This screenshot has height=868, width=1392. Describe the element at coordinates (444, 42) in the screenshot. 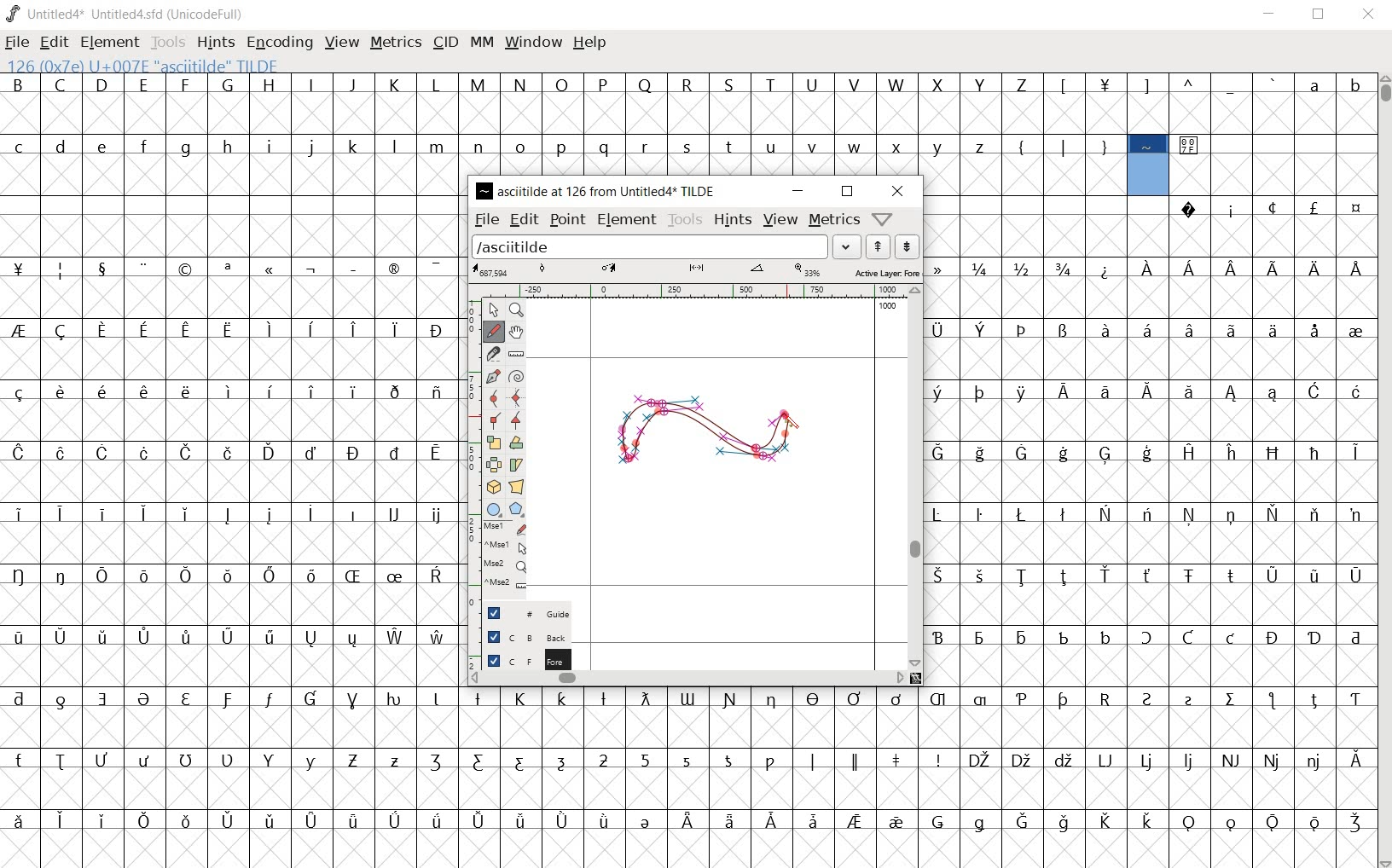

I see `CID` at that location.